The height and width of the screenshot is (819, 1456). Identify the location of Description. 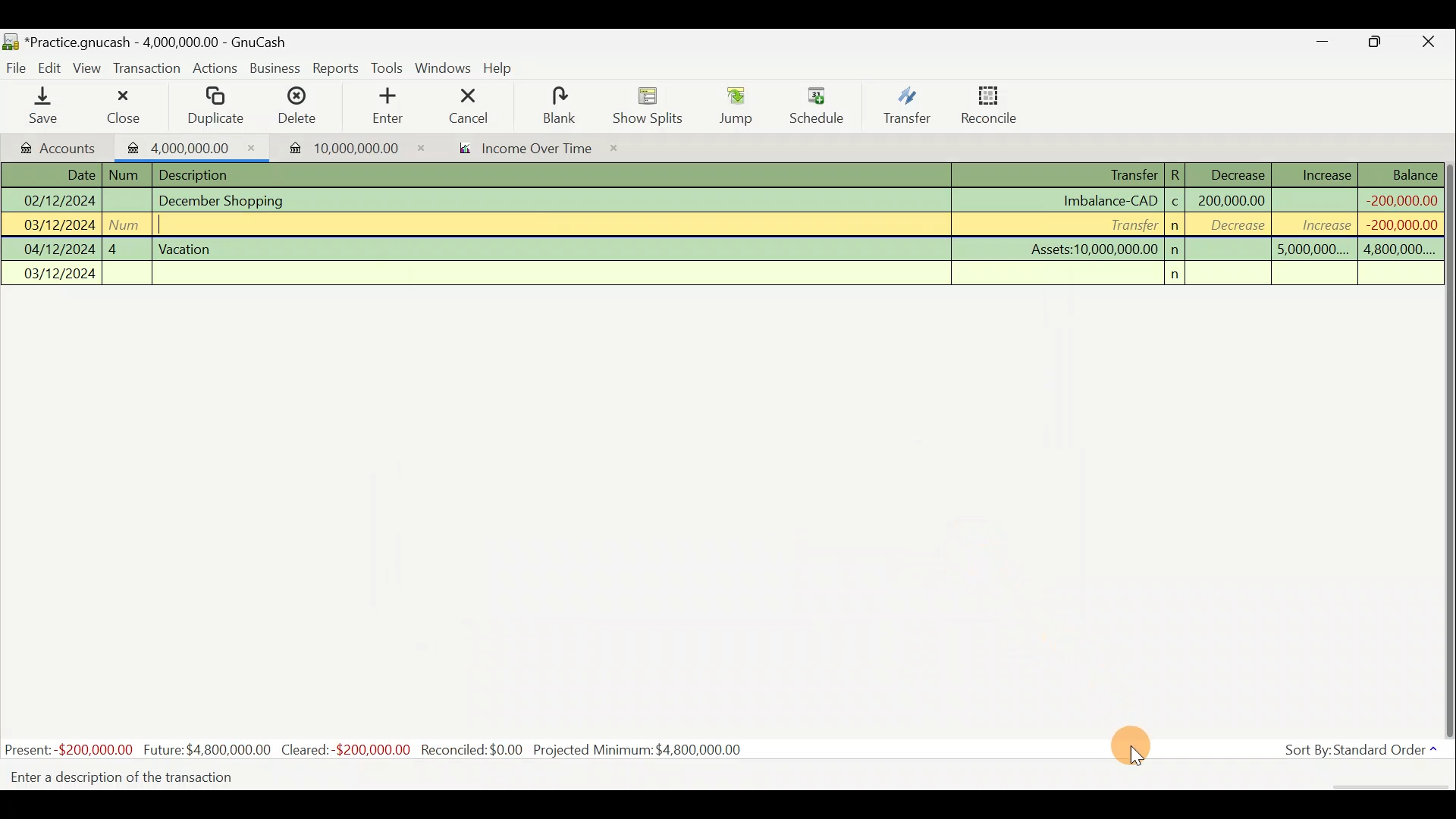
(199, 173).